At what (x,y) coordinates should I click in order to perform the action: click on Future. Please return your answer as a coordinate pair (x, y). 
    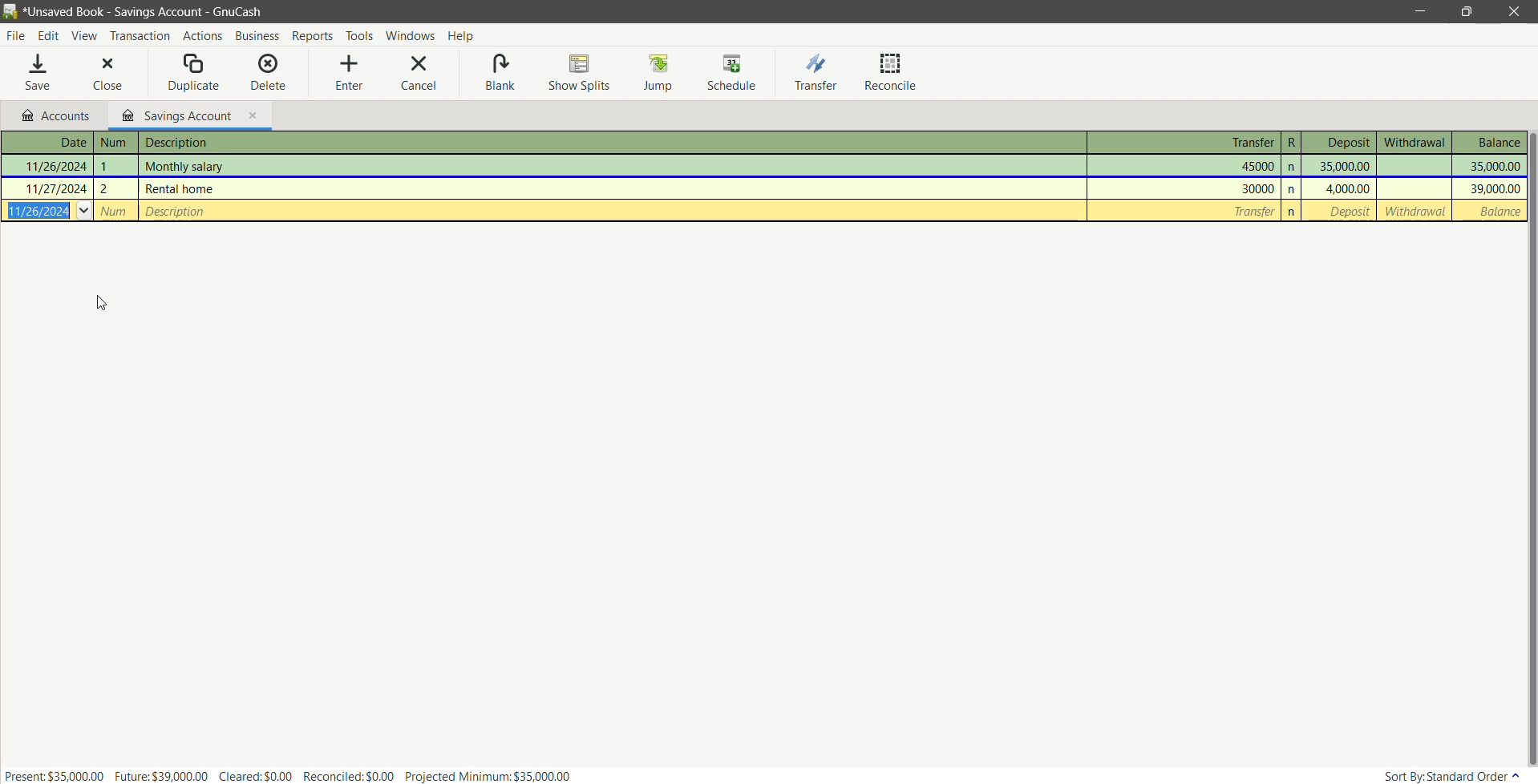
    Looking at the image, I should click on (162, 775).